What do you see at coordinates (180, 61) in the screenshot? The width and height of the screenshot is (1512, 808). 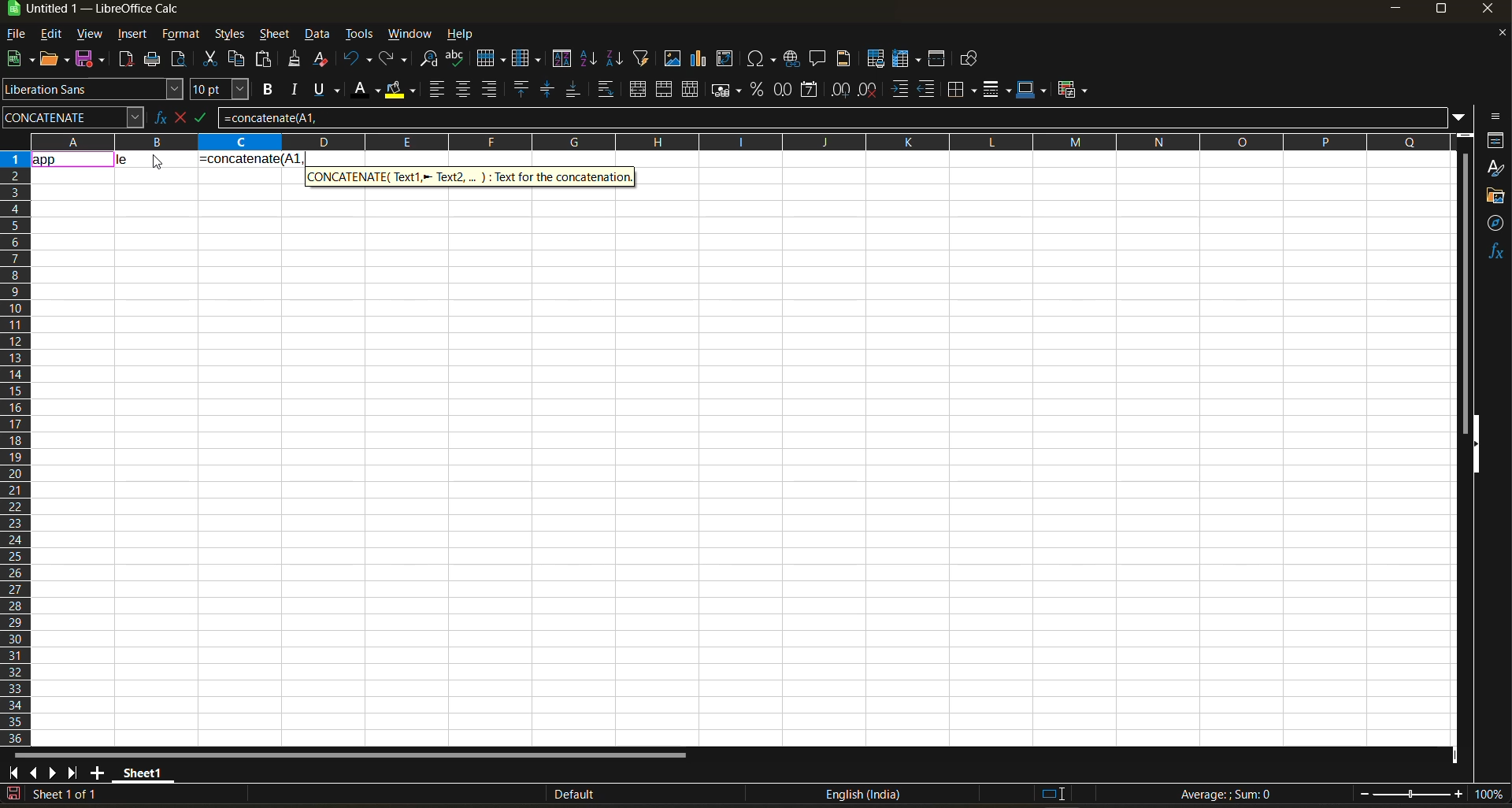 I see `toggle print preview` at bounding box center [180, 61].